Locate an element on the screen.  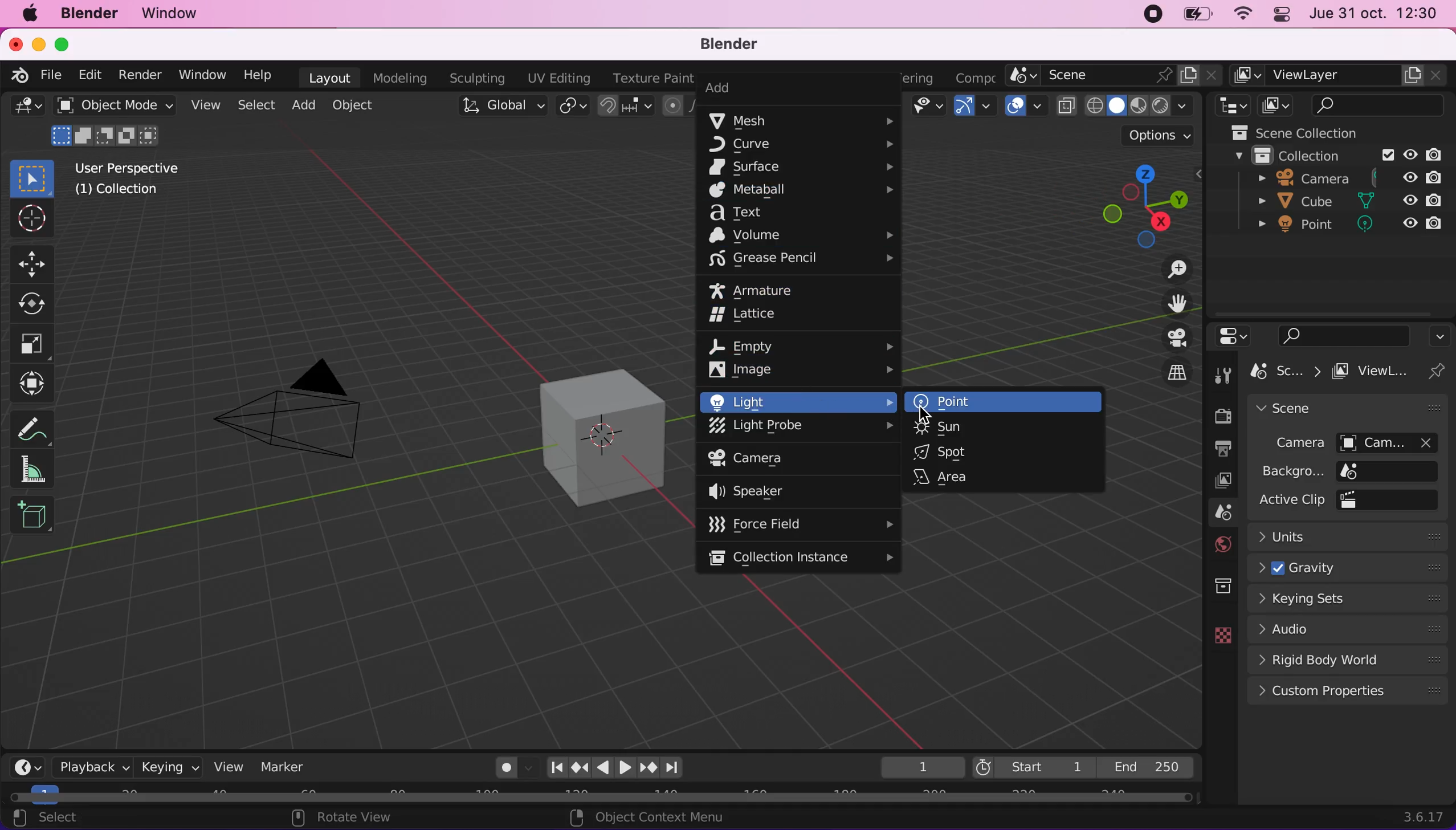
render is located at coordinates (1218, 415).